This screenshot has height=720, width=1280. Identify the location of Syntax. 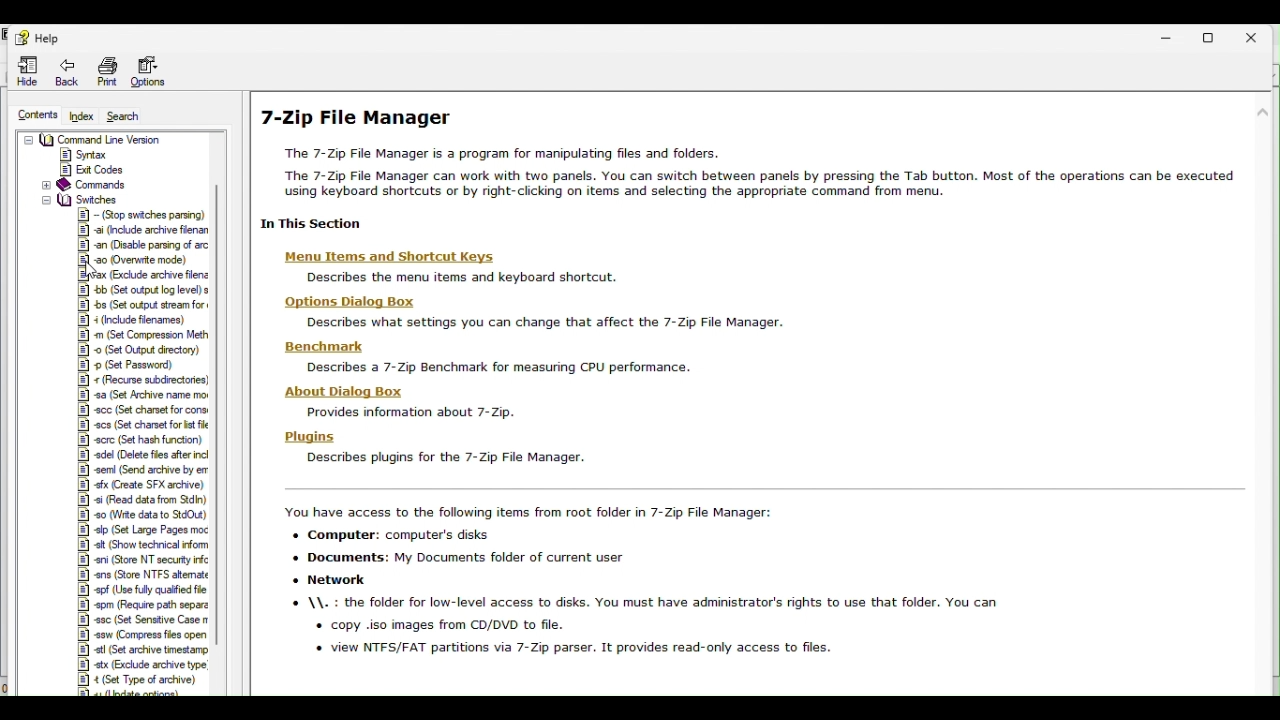
(87, 155).